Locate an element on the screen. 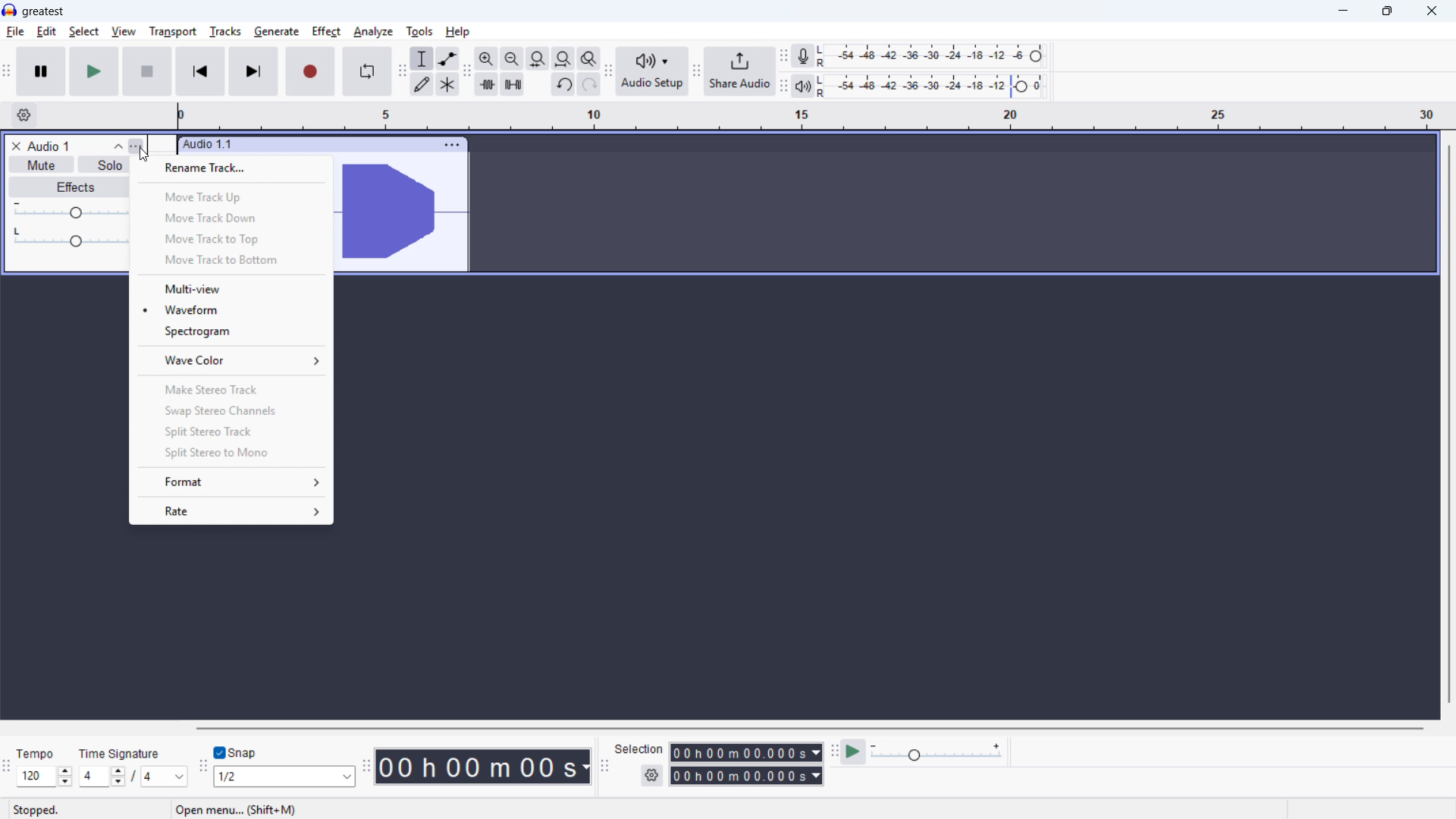 The height and width of the screenshot is (819, 1456). selection settings is located at coordinates (653, 776).